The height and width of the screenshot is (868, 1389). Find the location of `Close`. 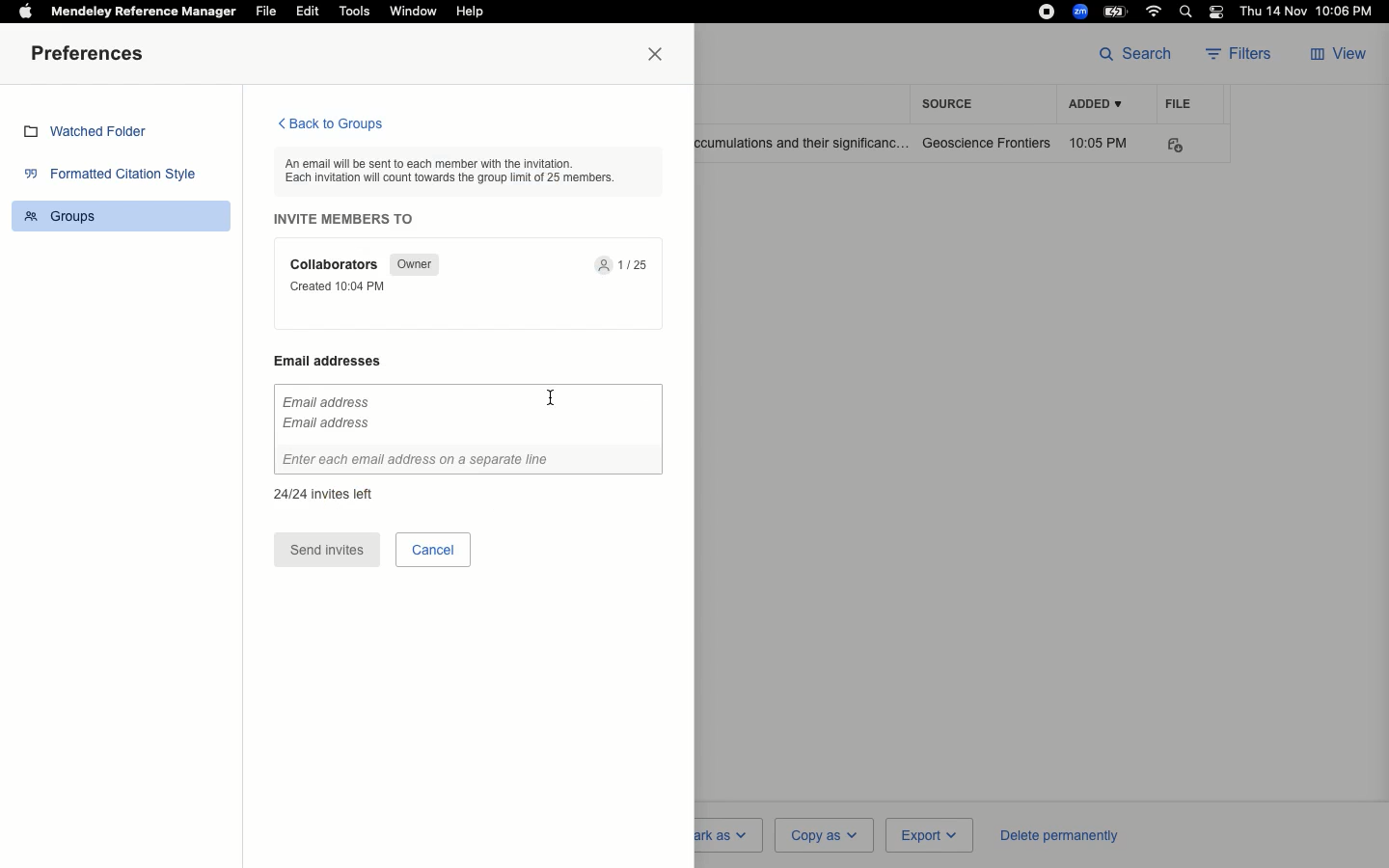

Close is located at coordinates (660, 55).